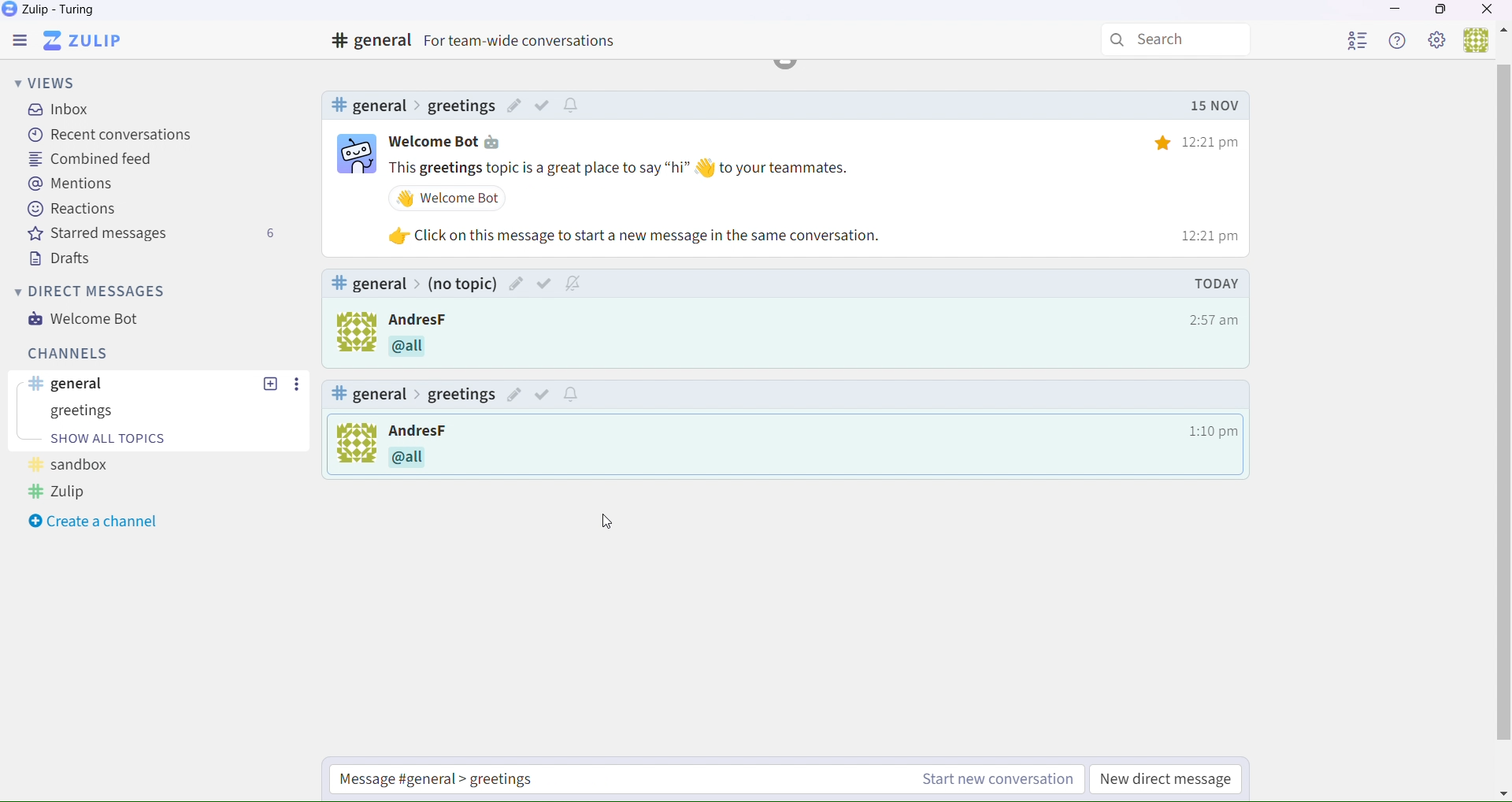  I want to click on New direct message, so click(1163, 779).